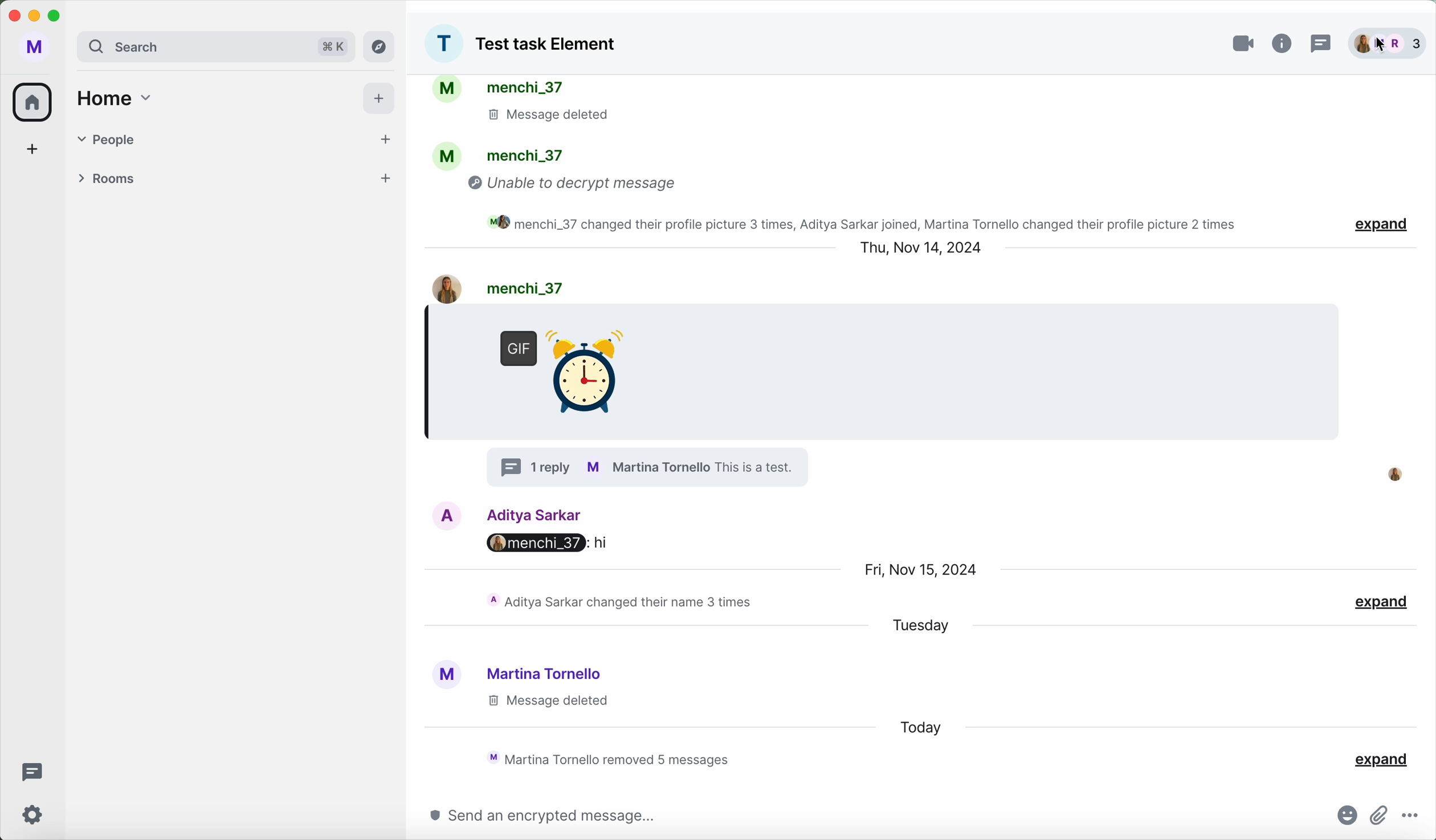 This screenshot has width=1436, height=840. What do you see at coordinates (648, 467) in the screenshot?
I see `profile` at bounding box center [648, 467].